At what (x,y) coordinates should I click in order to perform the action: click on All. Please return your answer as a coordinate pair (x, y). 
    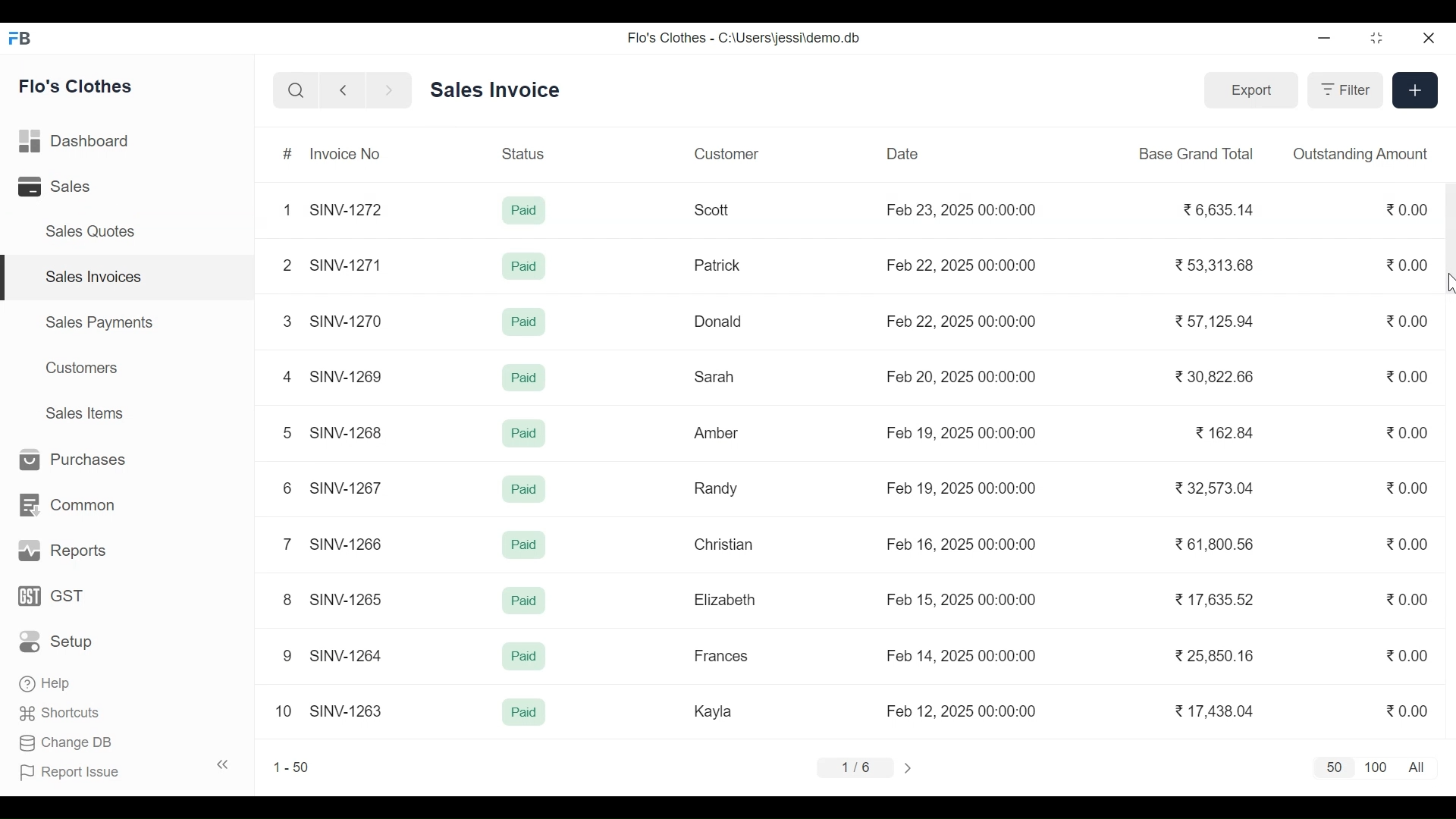
    Looking at the image, I should click on (1420, 767).